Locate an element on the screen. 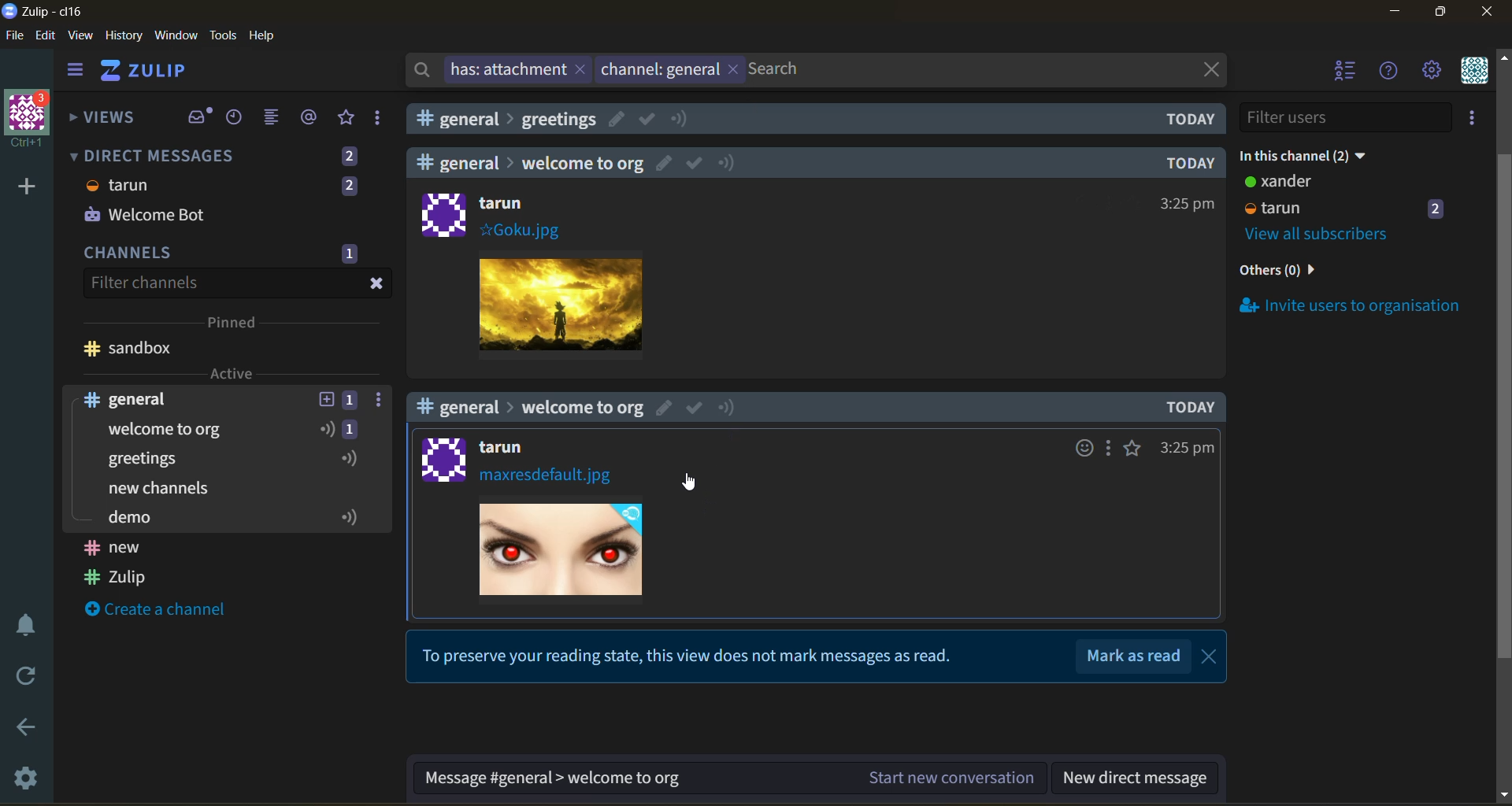 This screenshot has width=1512, height=806. more options is located at coordinates (1105, 446).